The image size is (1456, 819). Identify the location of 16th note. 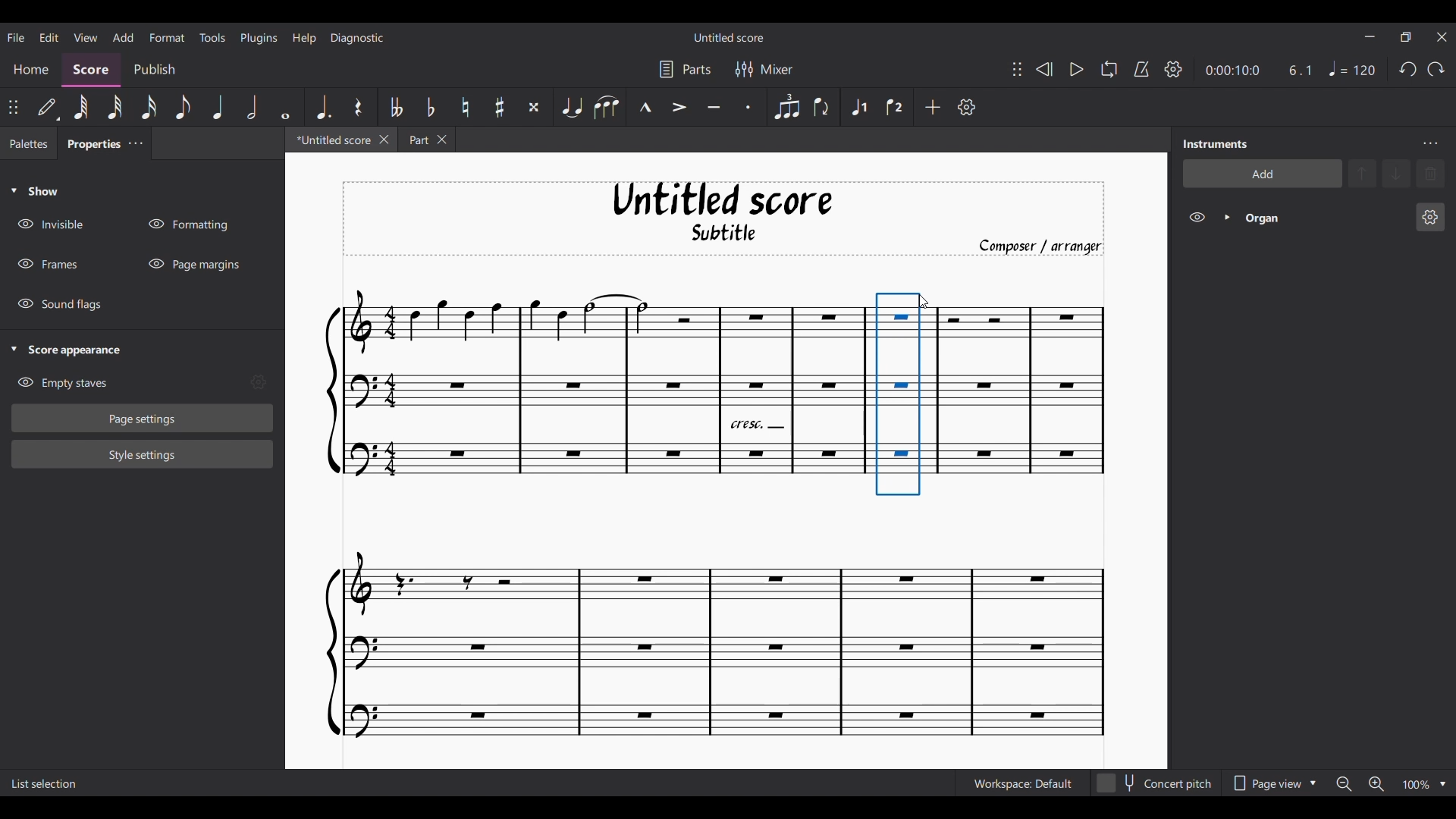
(149, 108).